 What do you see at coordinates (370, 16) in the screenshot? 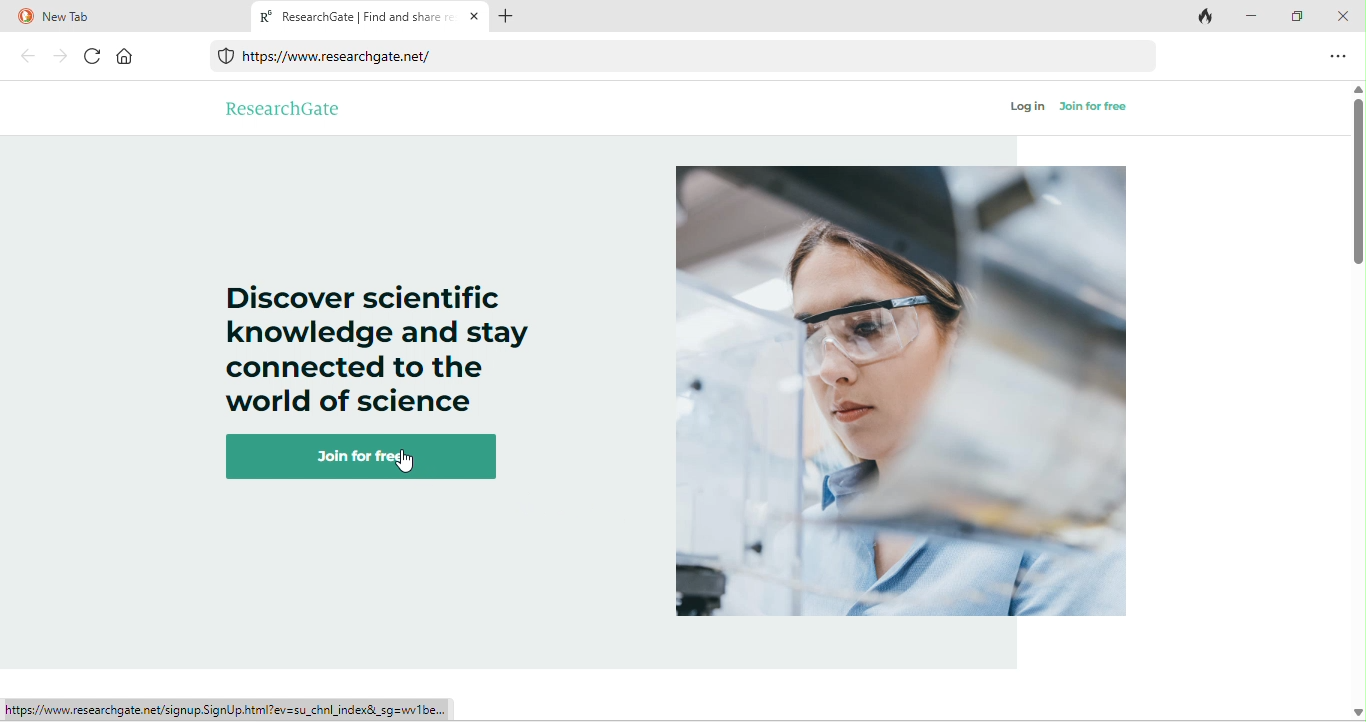
I see `ResearchGate | Find and share` at bounding box center [370, 16].